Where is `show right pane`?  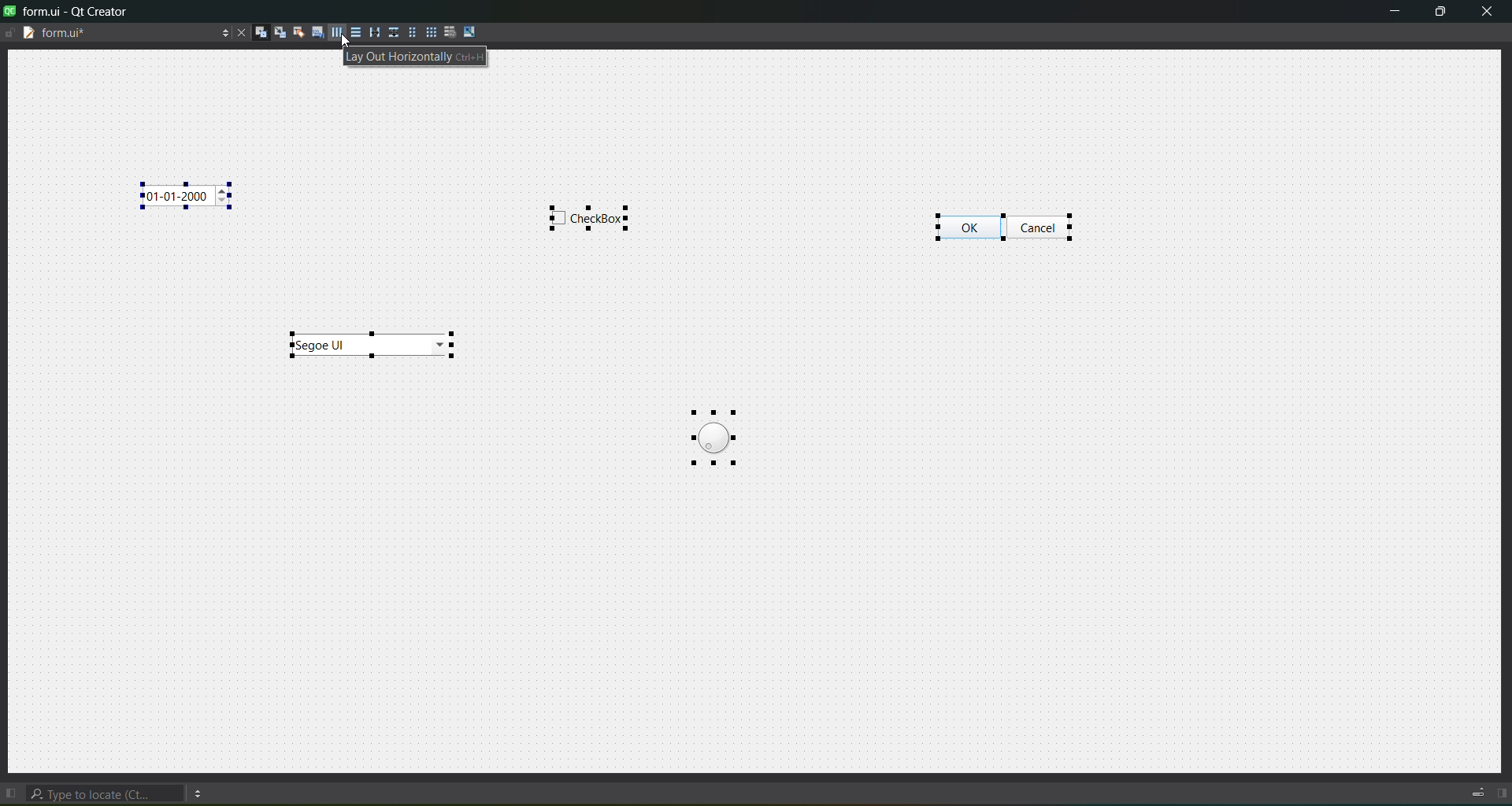
show right pane is located at coordinates (1499, 793).